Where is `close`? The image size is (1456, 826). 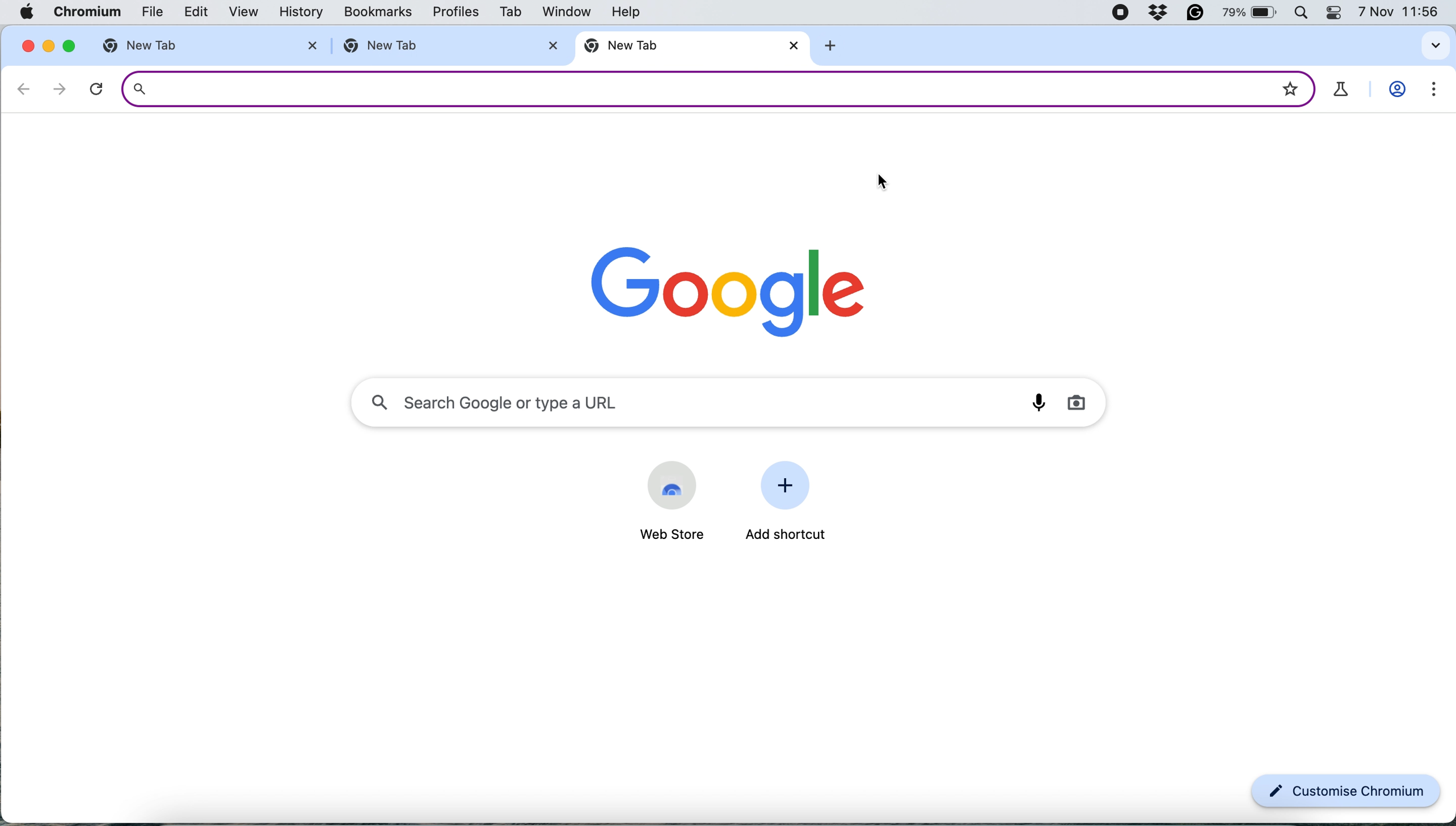 close is located at coordinates (25, 45).